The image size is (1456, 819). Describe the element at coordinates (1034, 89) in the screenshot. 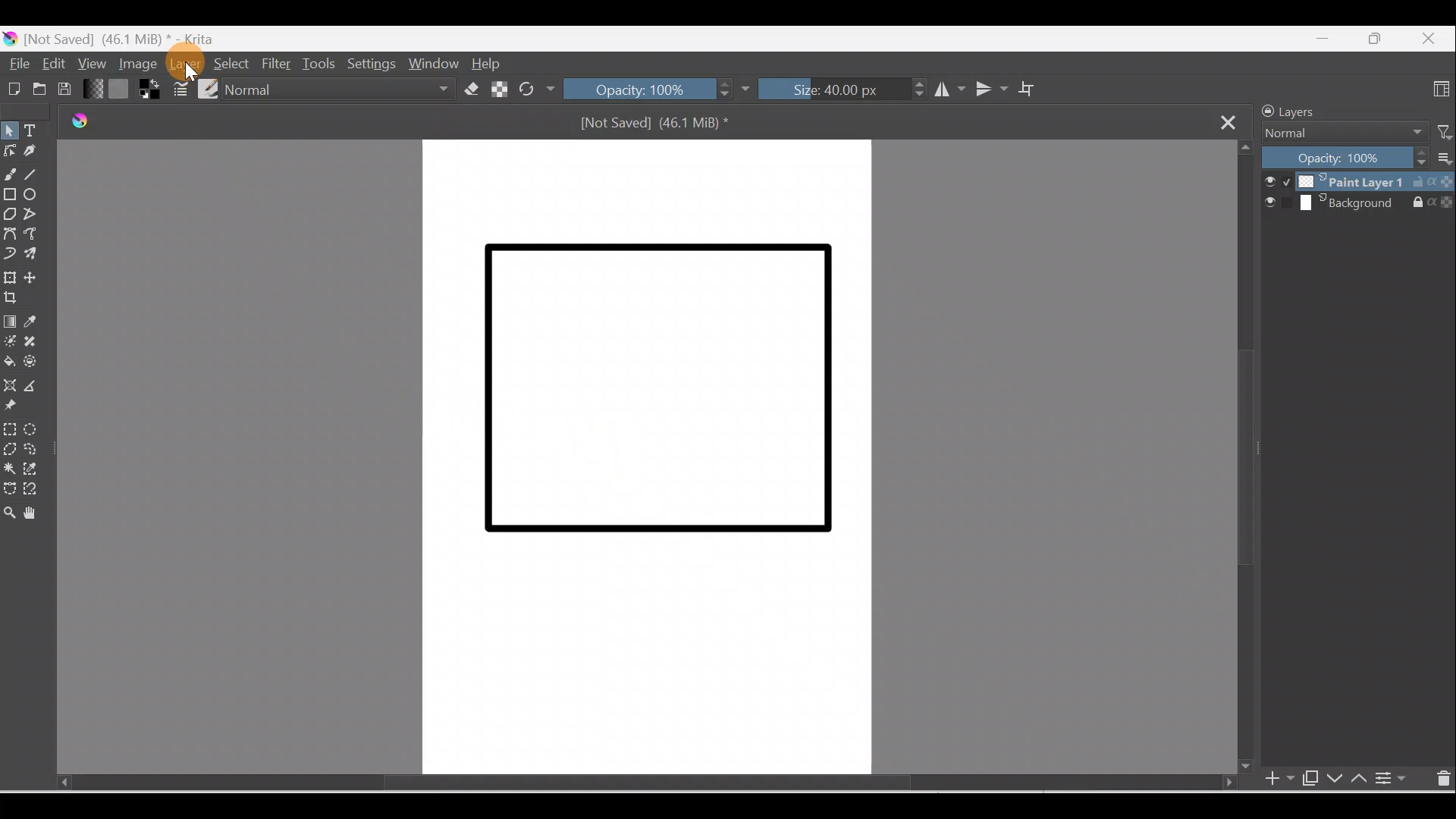

I see `Wrap around mode` at that location.